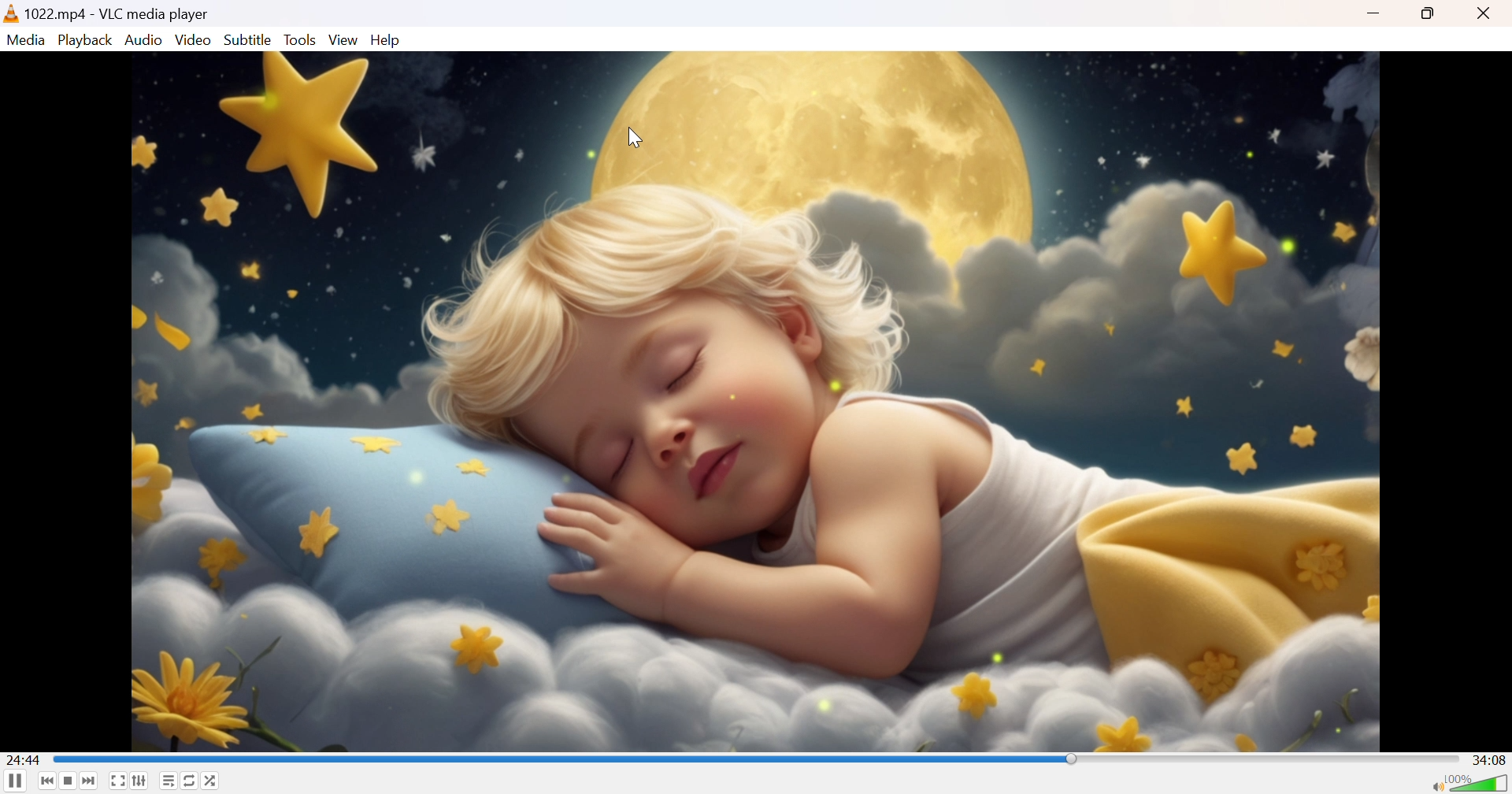 Image resolution: width=1512 pixels, height=794 pixels. I want to click on video, so click(758, 400).